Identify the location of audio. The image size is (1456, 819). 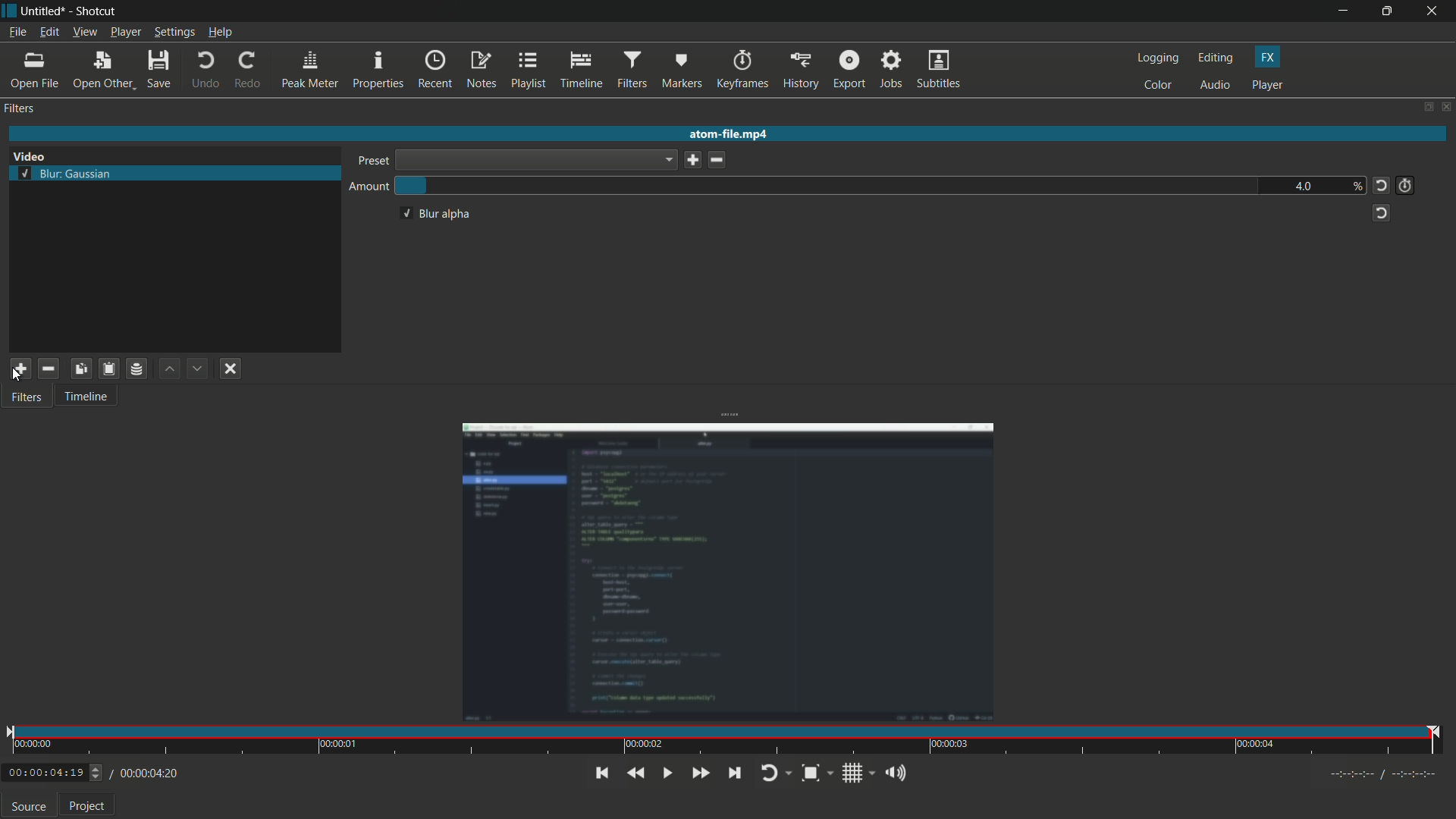
(1216, 86).